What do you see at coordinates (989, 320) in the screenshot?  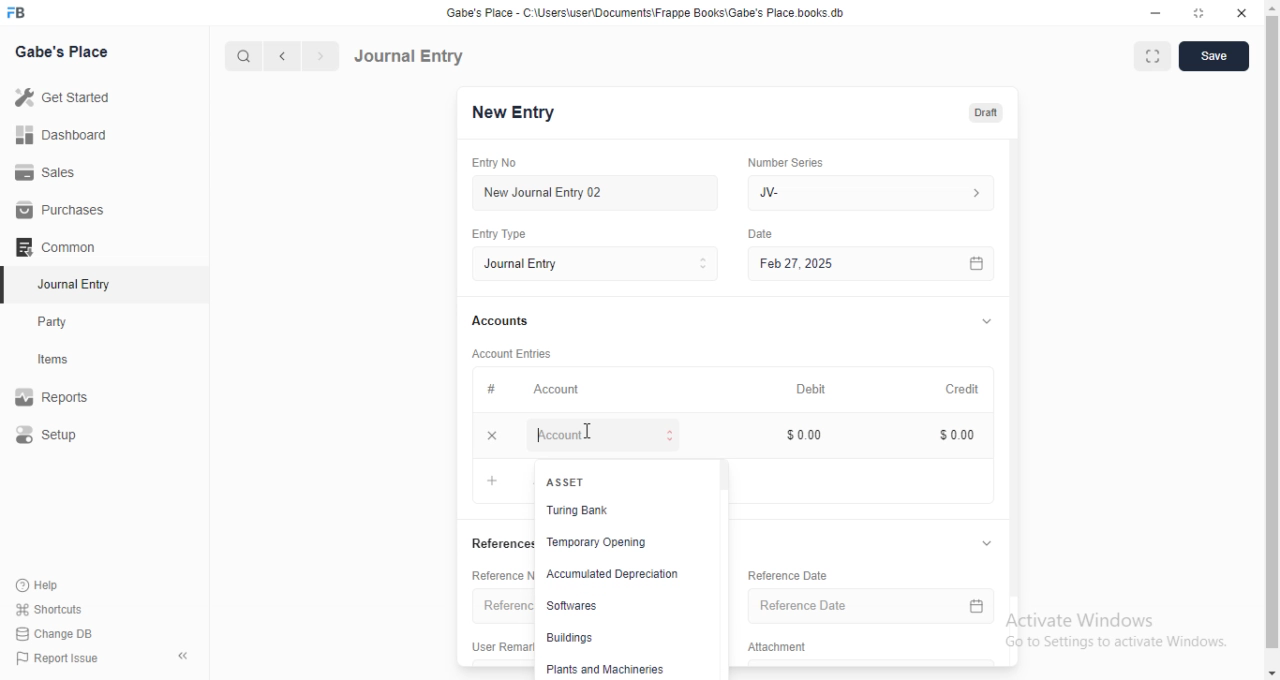 I see `Hide` at bounding box center [989, 320].